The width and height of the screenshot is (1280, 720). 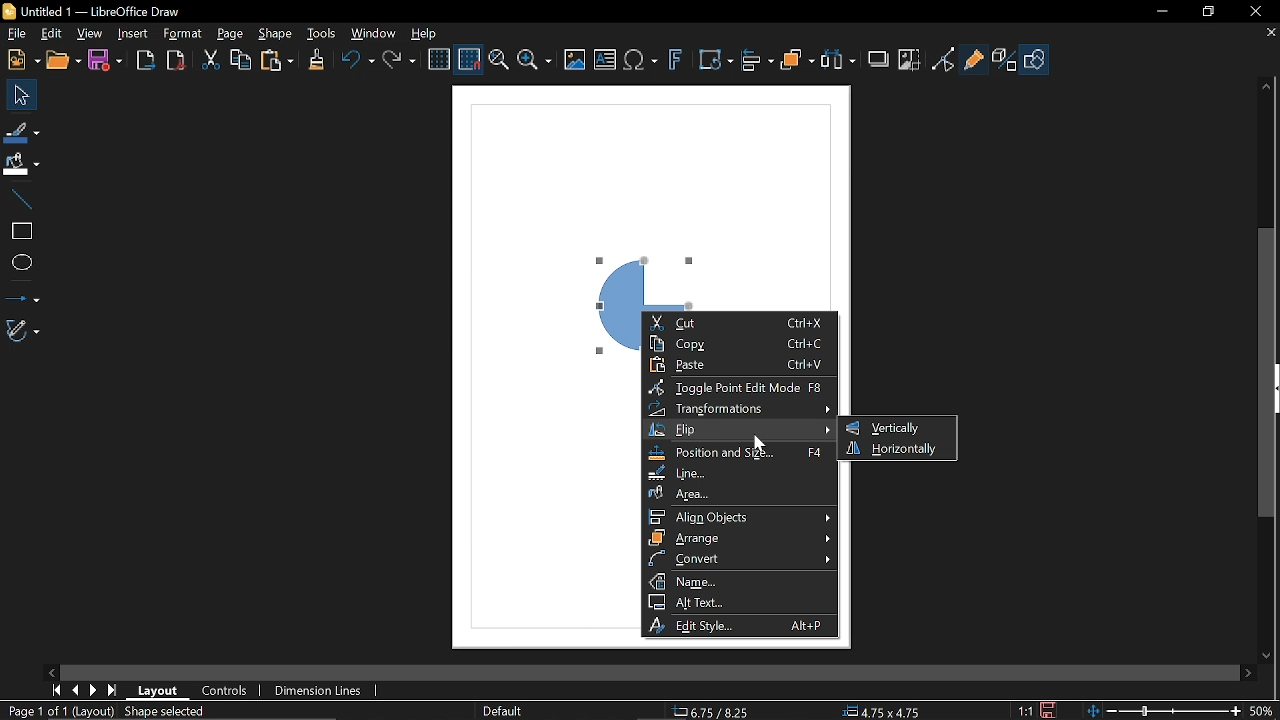 What do you see at coordinates (58, 712) in the screenshot?
I see `Page 1 of 1 (Layout)` at bounding box center [58, 712].